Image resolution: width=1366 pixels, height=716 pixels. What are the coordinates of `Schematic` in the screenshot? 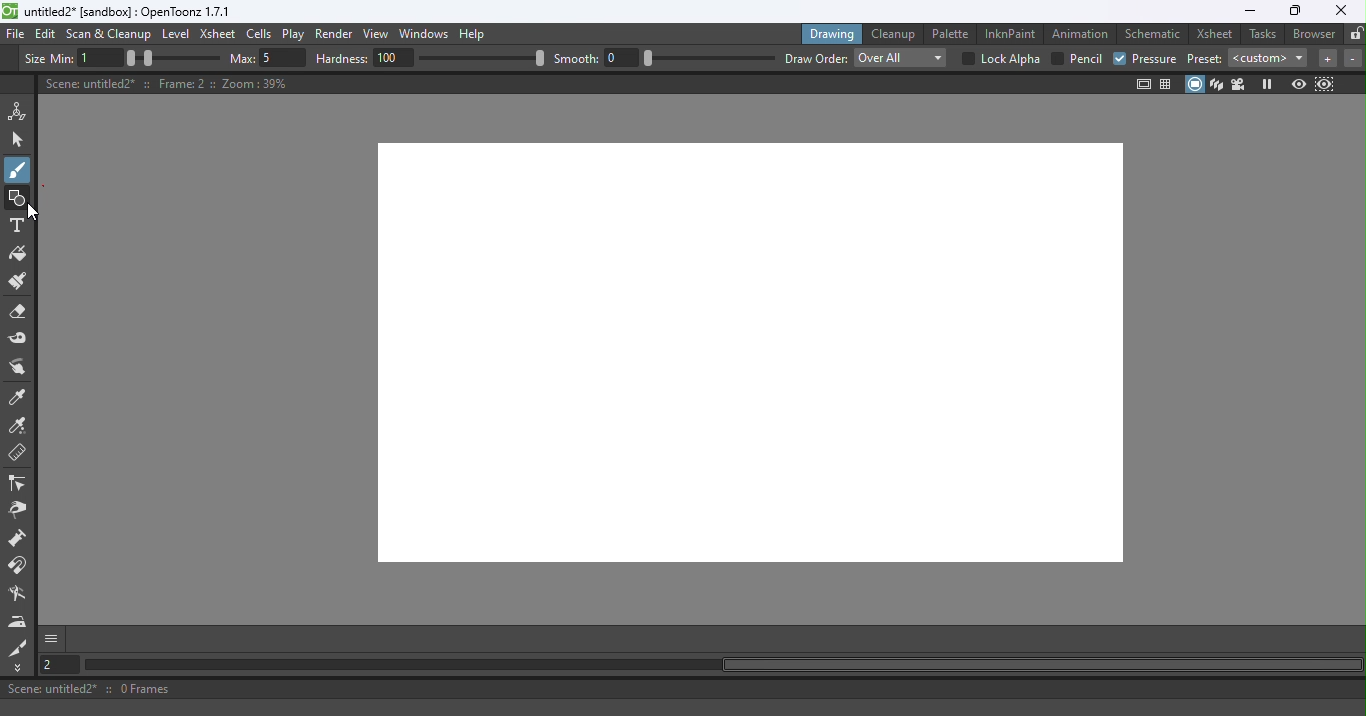 It's located at (1153, 34).